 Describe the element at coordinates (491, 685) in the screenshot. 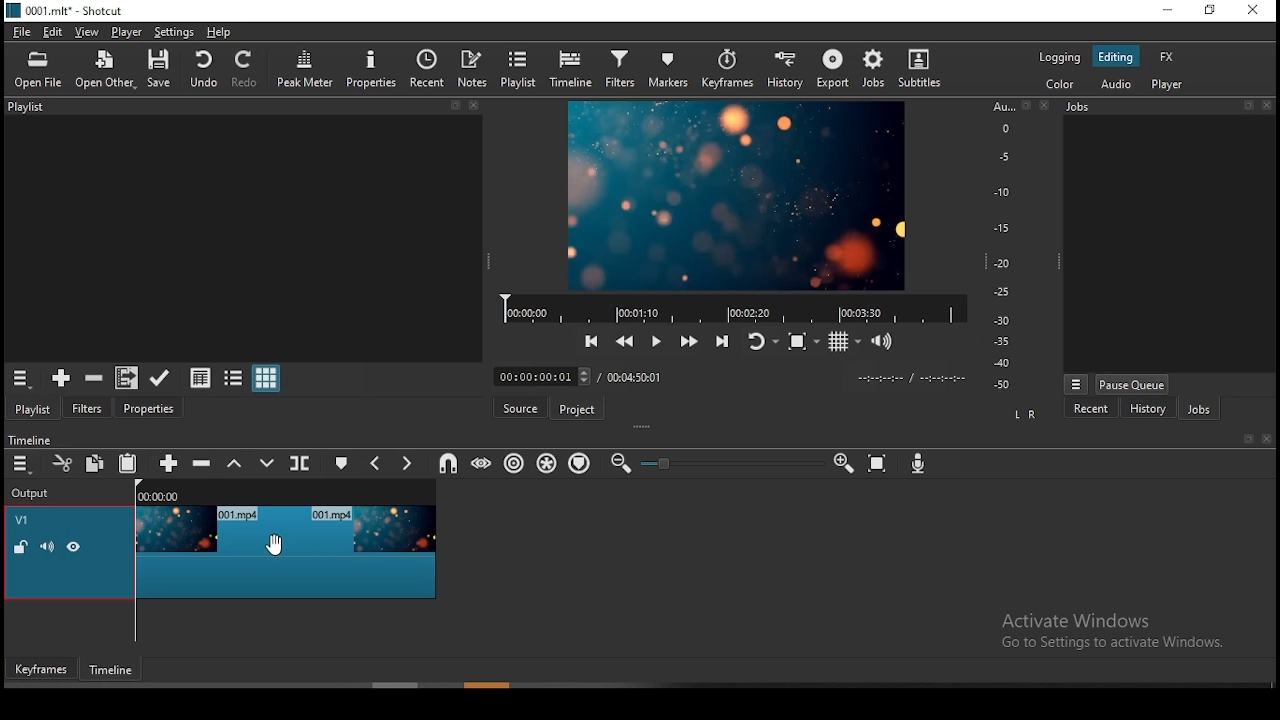

I see `scroll bar` at that location.